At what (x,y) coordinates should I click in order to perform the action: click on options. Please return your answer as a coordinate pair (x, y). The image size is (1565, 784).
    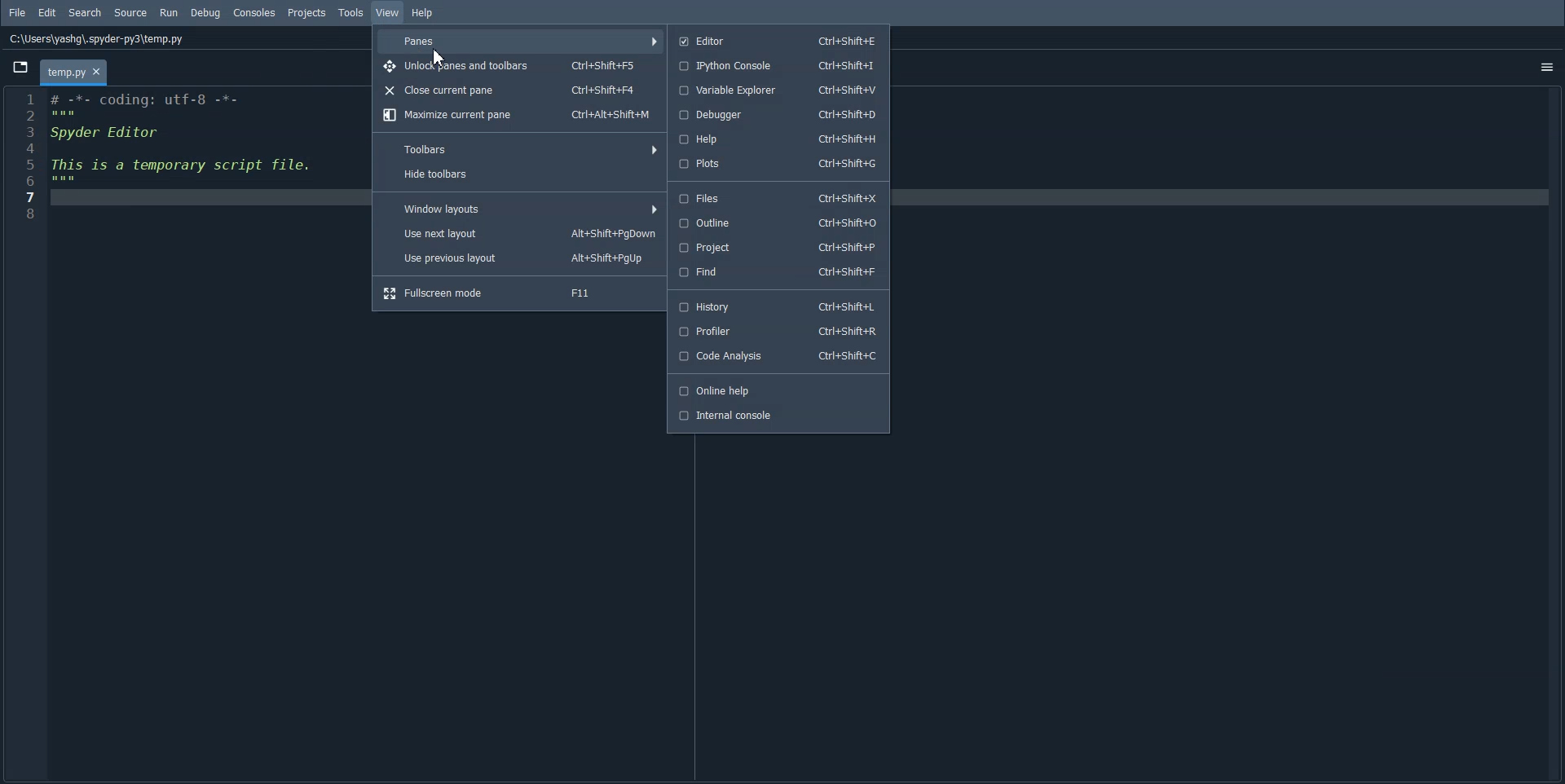
    Looking at the image, I should click on (1543, 62).